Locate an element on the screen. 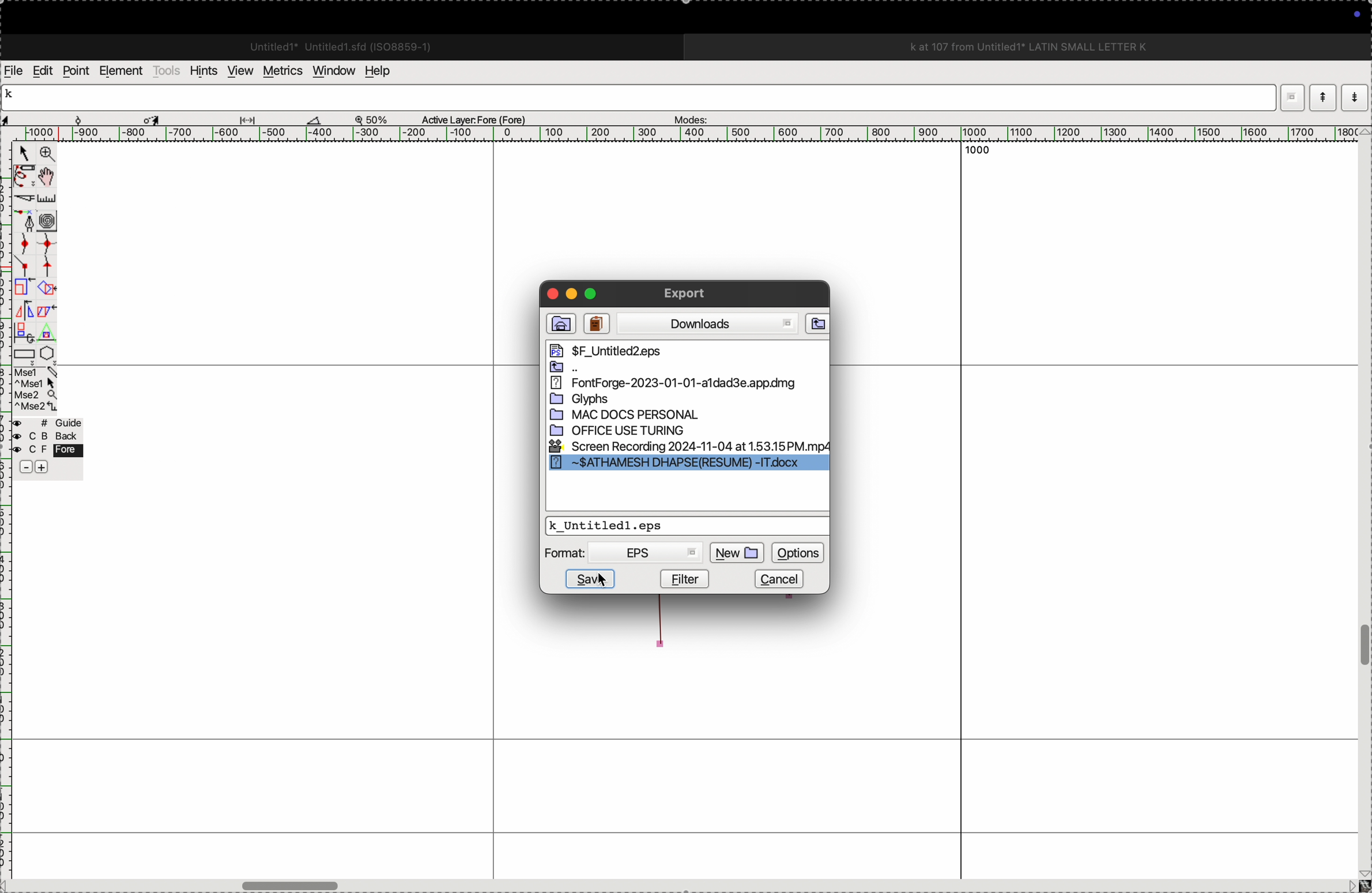 Image resolution: width=1372 pixels, height=893 pixels. restore down is located at coordinates (1285, 98).